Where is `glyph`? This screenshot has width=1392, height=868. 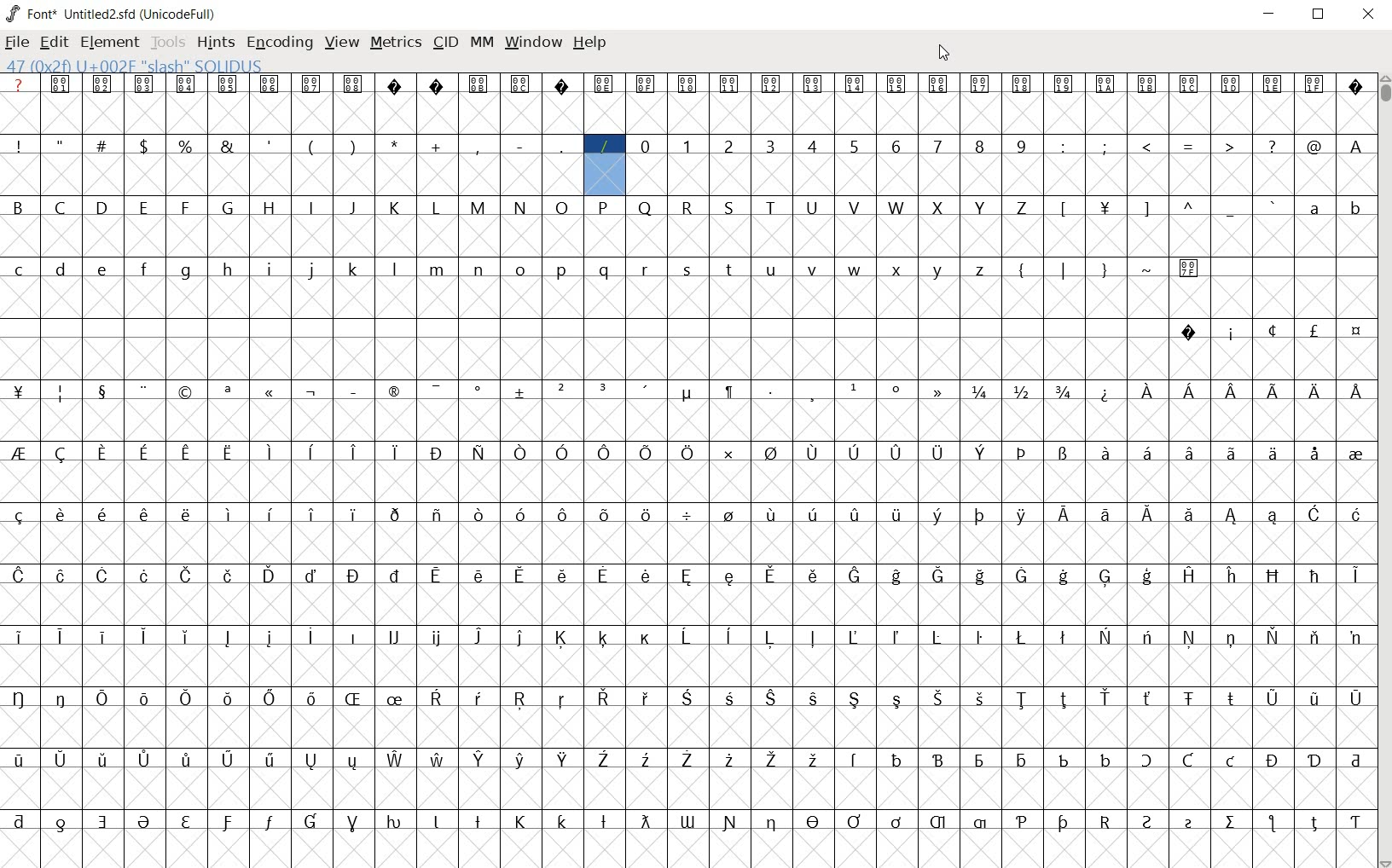 glyph is located at coordinates (561, 638).